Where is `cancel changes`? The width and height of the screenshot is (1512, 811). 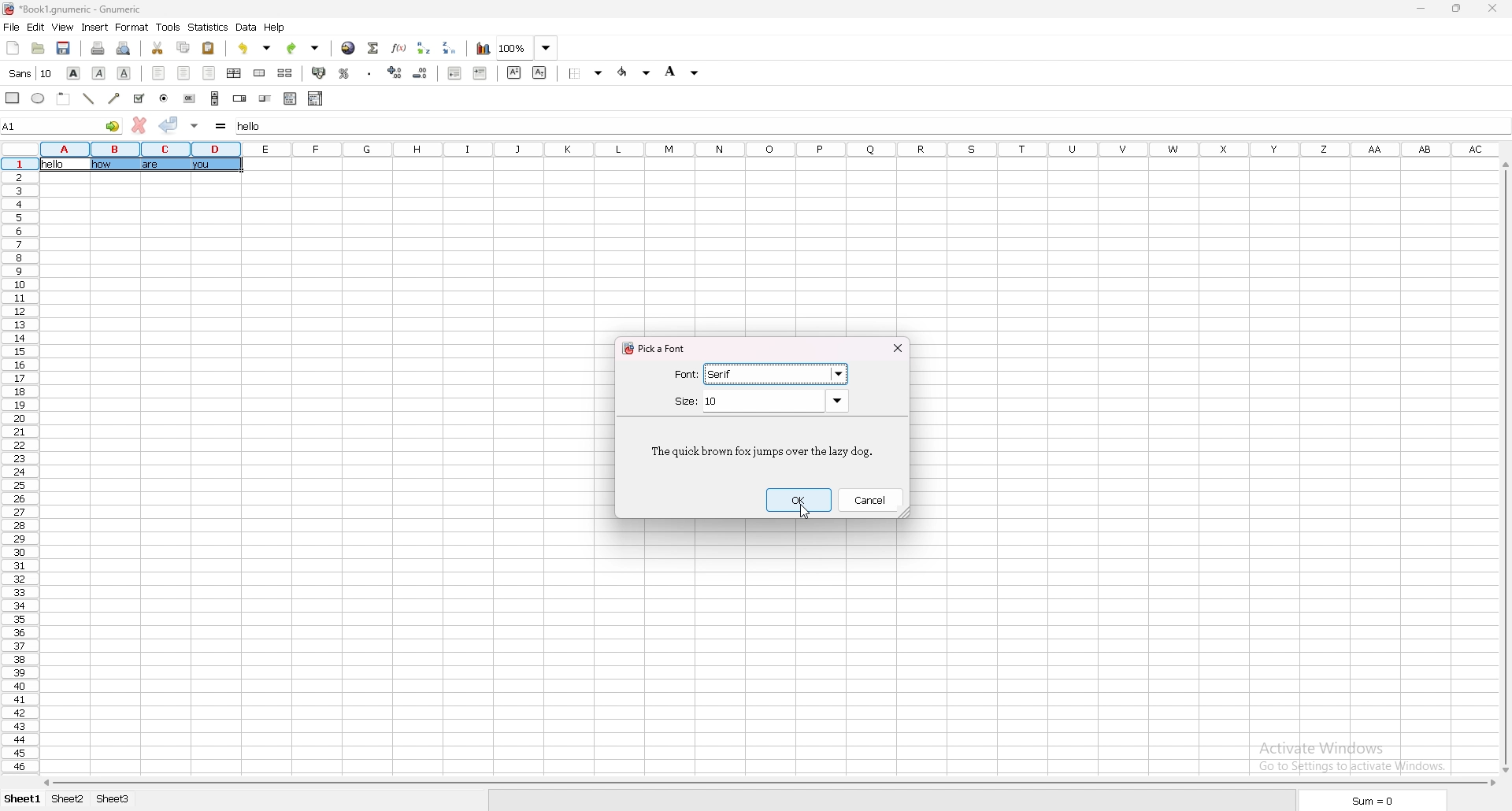
cancel changes is located at coordinates (139, 125).